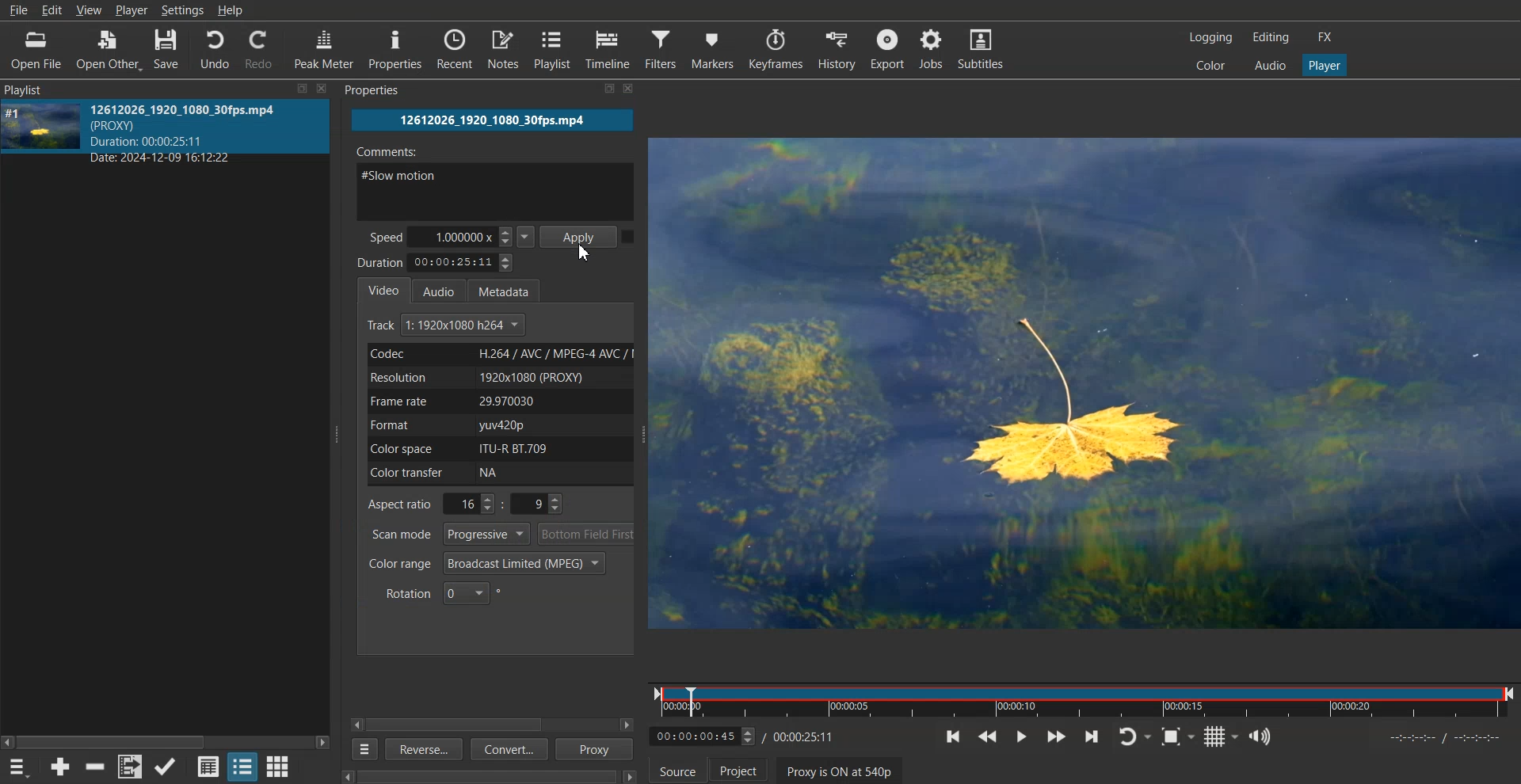 This screenshot has width=1521, height=784. What do you see at coordinates (41, 89) in the screenshot?
I see `playlist` at bounding box center [41, 89].